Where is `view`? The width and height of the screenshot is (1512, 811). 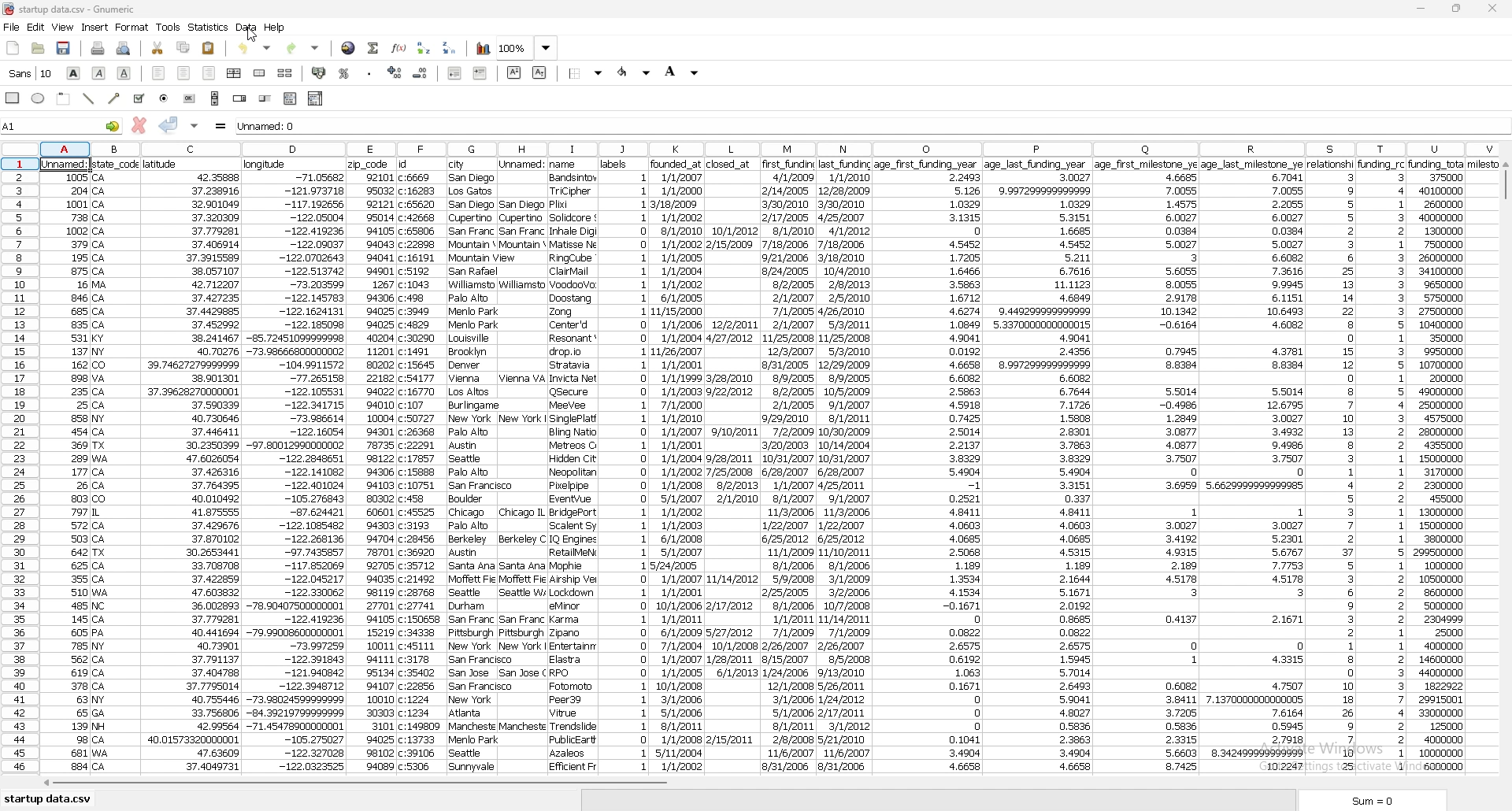
view is located at coordinates (63, 27).